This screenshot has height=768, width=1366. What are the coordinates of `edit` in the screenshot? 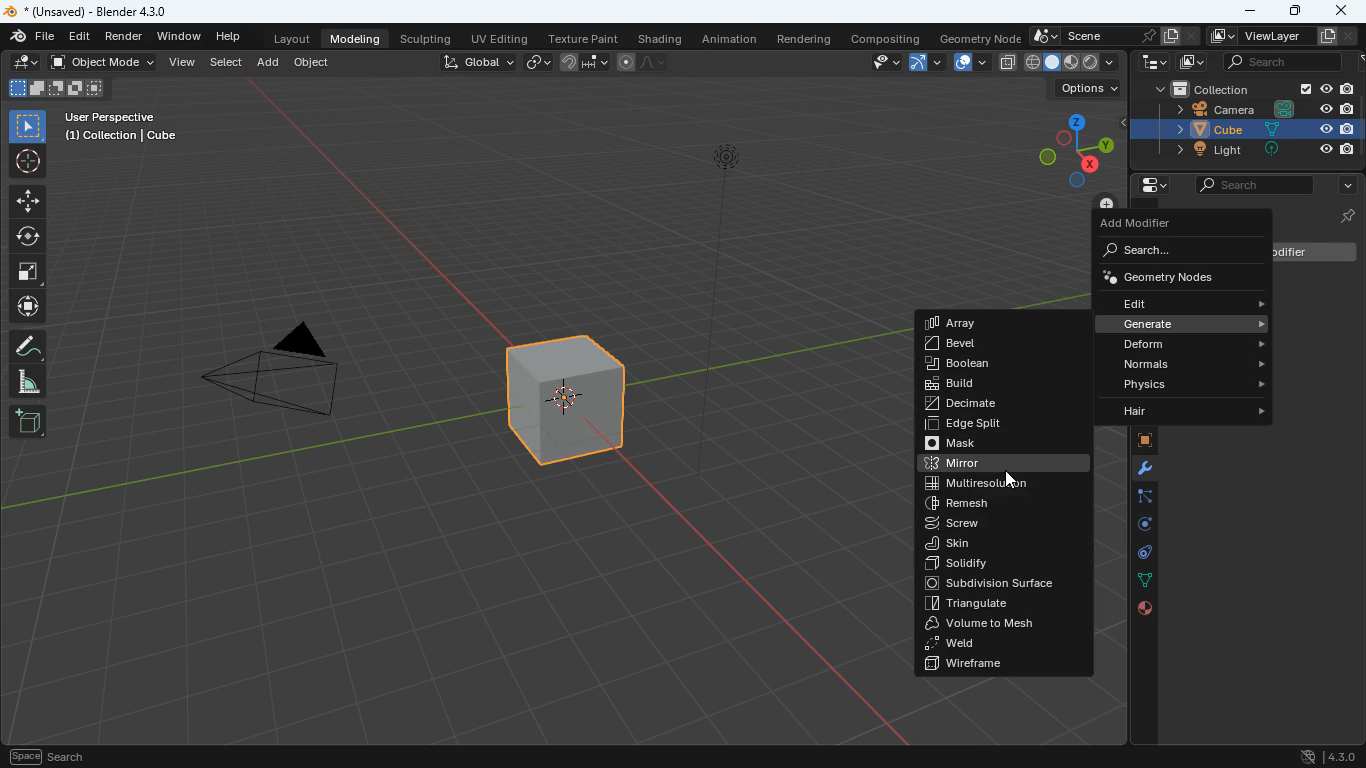 It's located at (82, 37).